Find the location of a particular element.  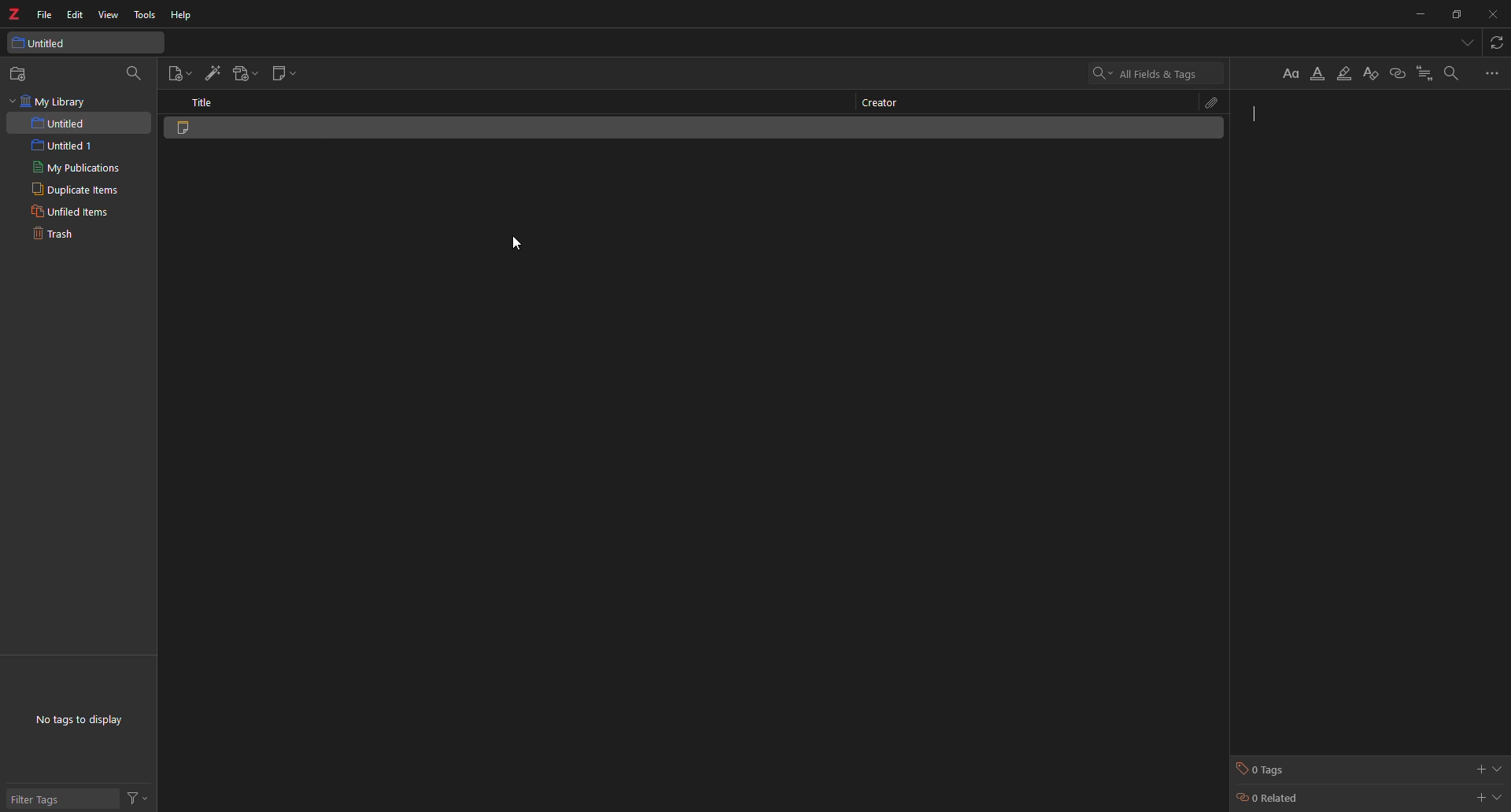

untitled is located at coordinates (45, 42).